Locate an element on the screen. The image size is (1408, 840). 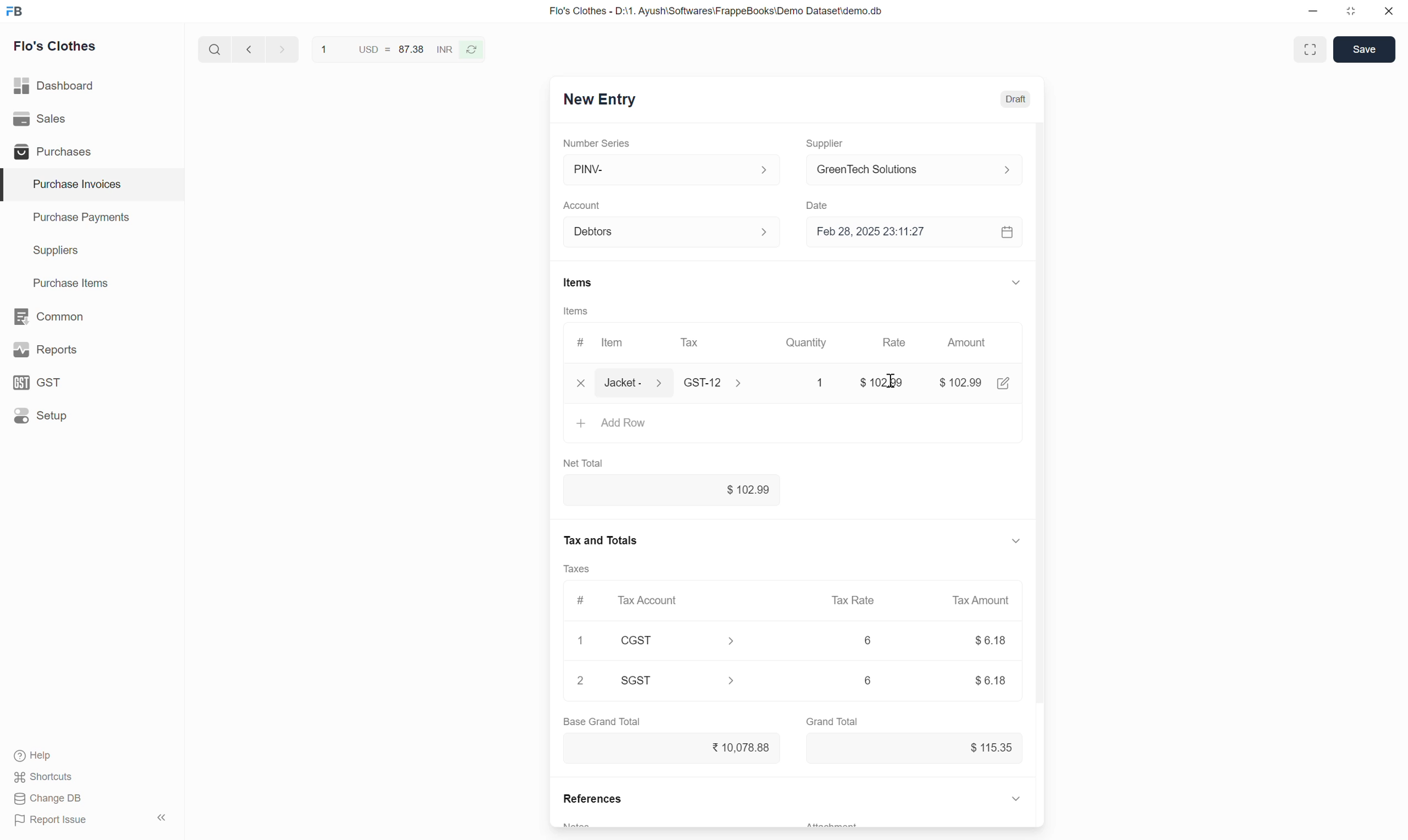
Common is located at coordinates (92, 316).